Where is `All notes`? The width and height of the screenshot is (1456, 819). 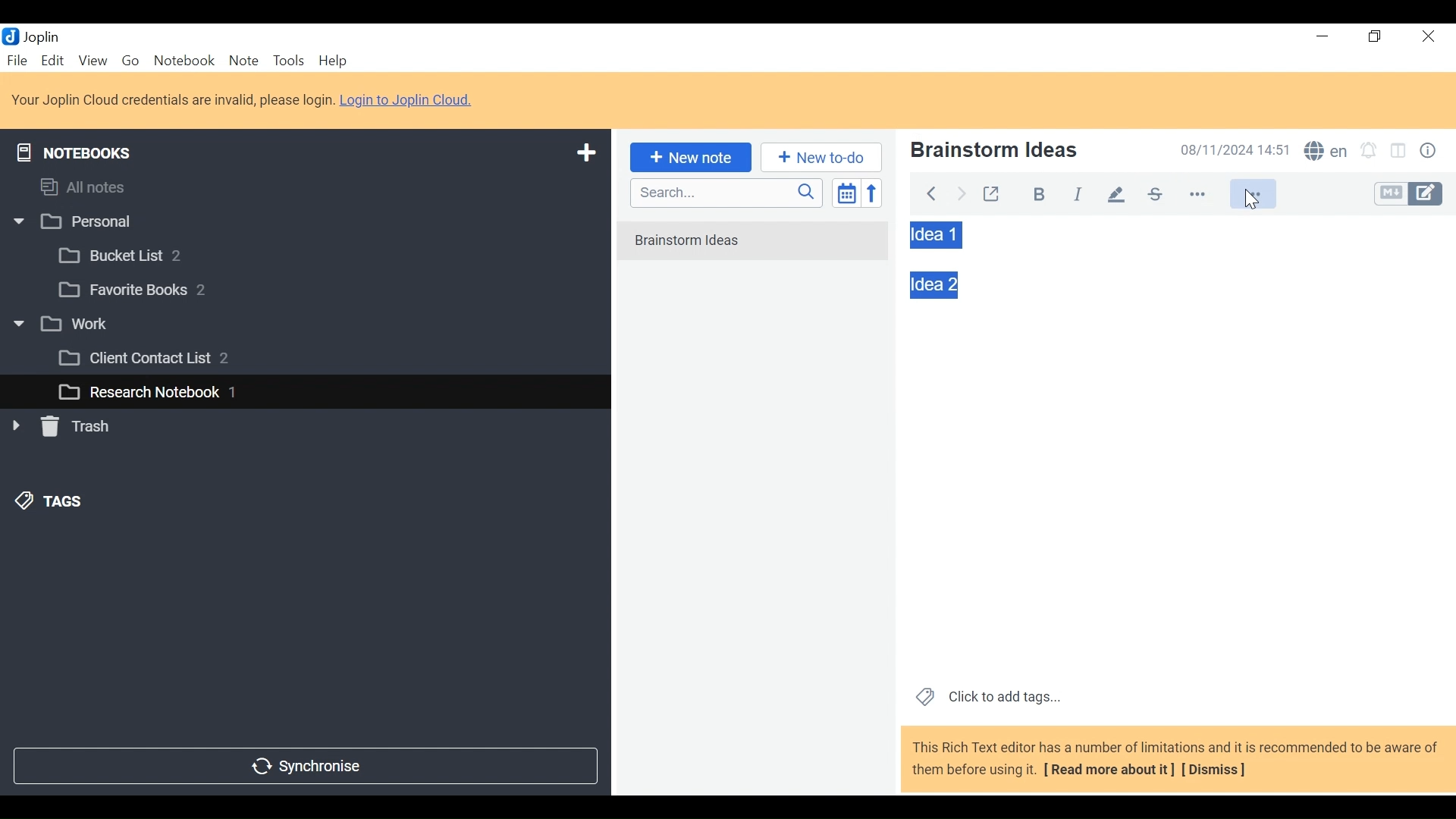
All notes is located at coordinates (97, 184).